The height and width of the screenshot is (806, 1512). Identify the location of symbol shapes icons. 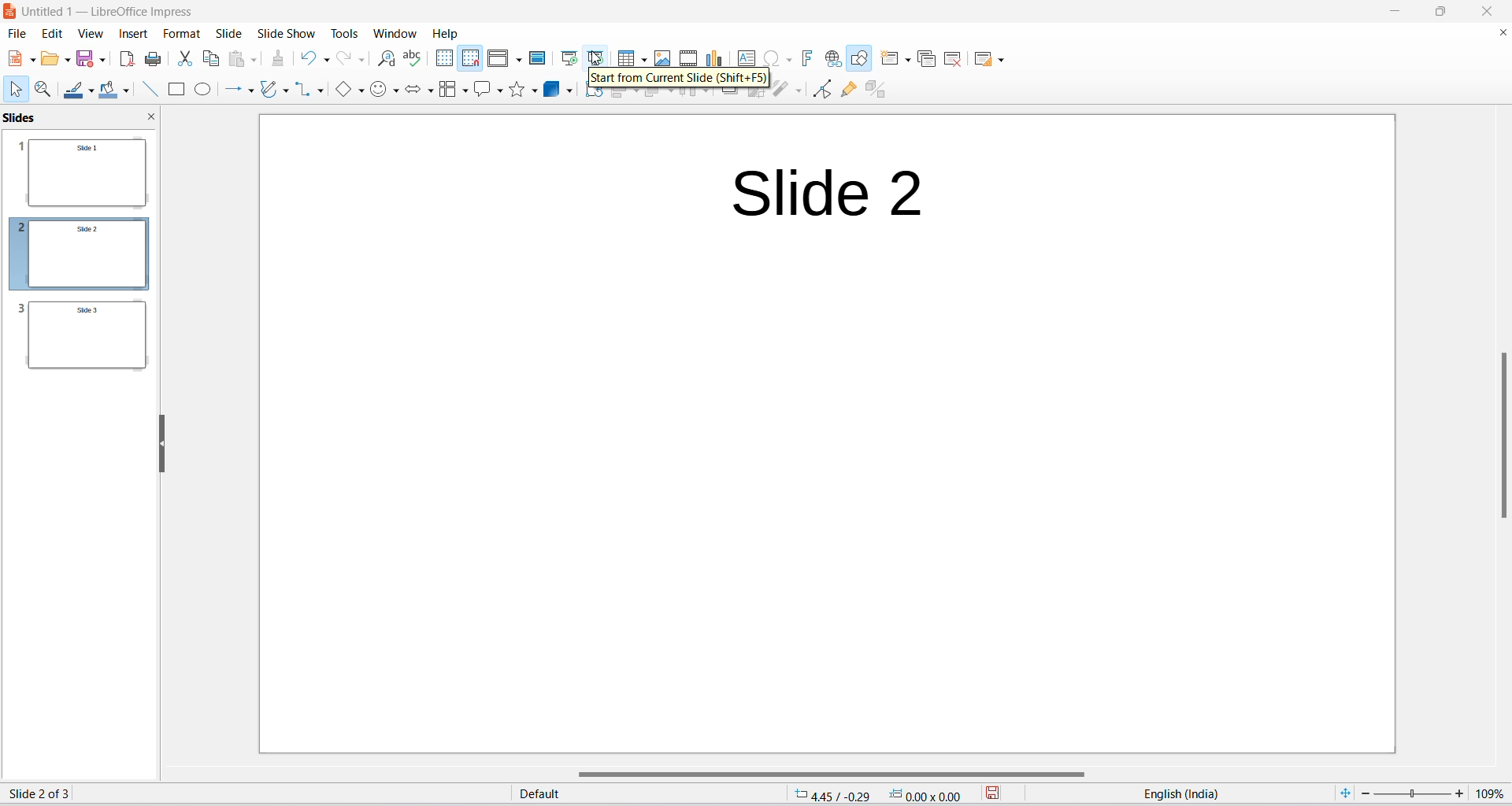
(380, 93).